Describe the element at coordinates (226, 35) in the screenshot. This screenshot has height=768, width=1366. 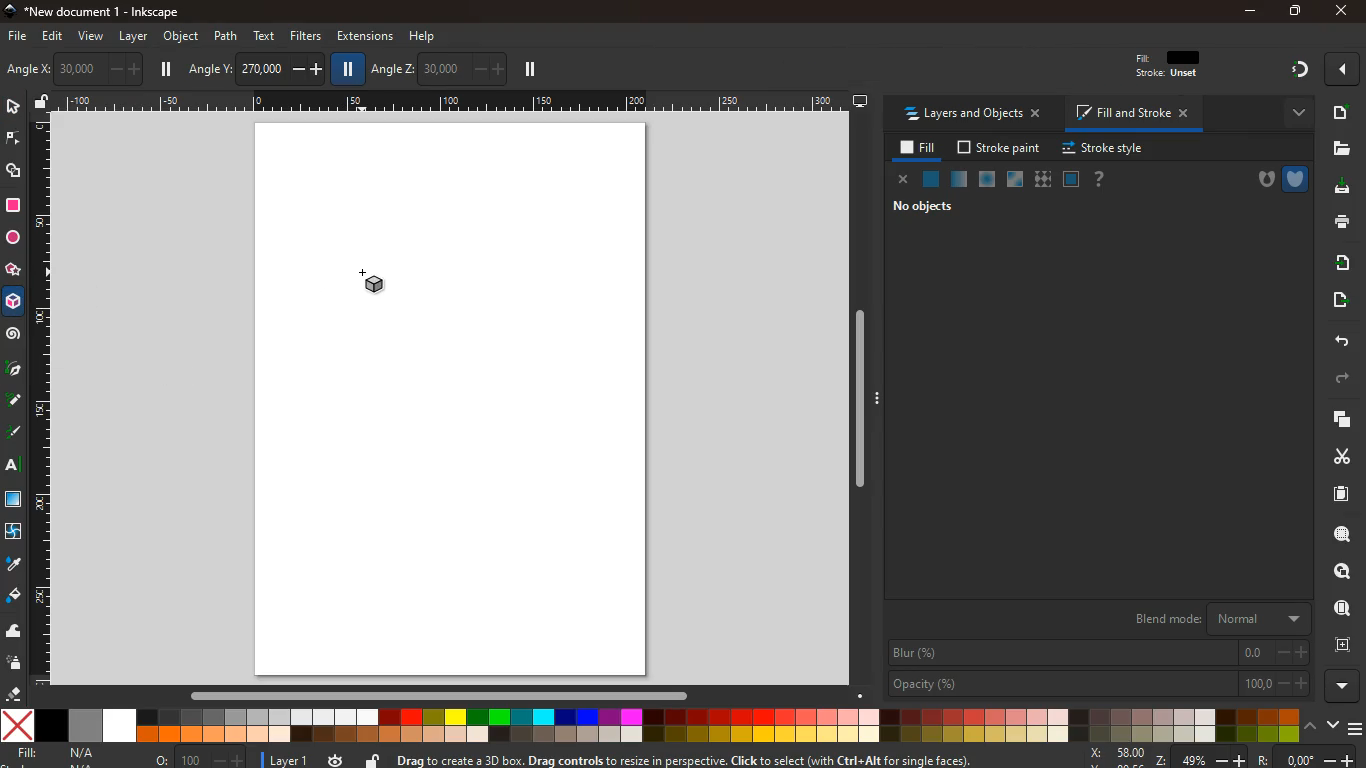
I see `path` at that location.